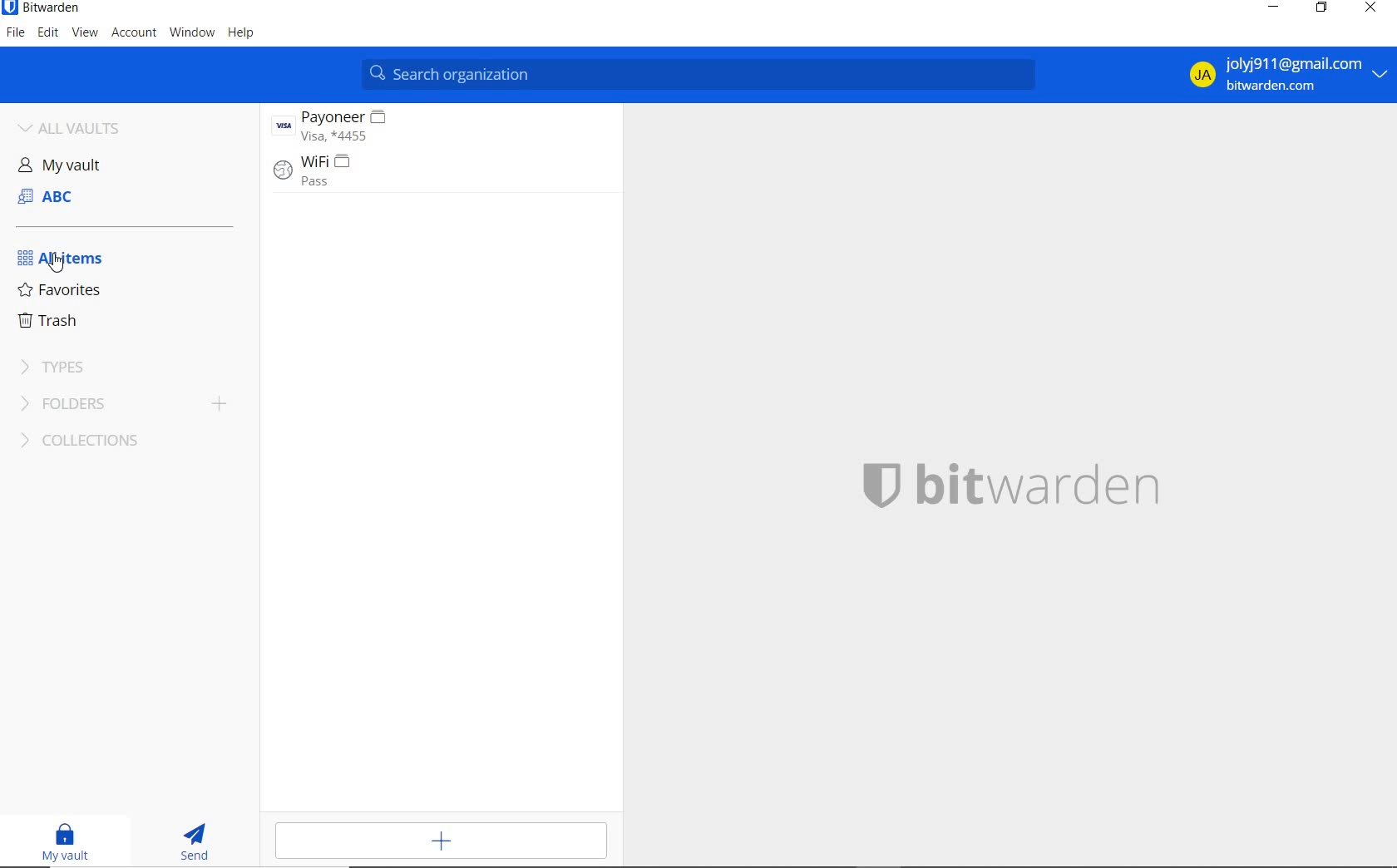  Describe the element at coordinates (200, 844) in the screenshot. I see `SEND` at that location.